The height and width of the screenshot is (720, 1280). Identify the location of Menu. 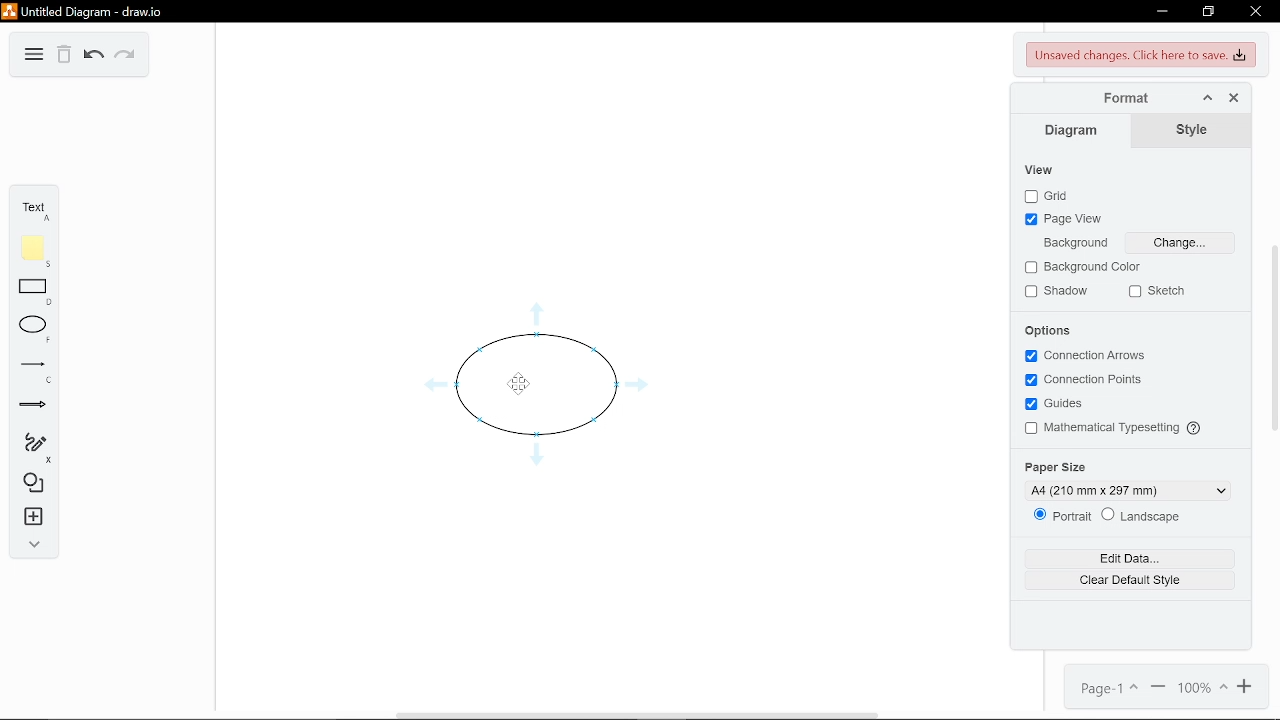
(32, 54).